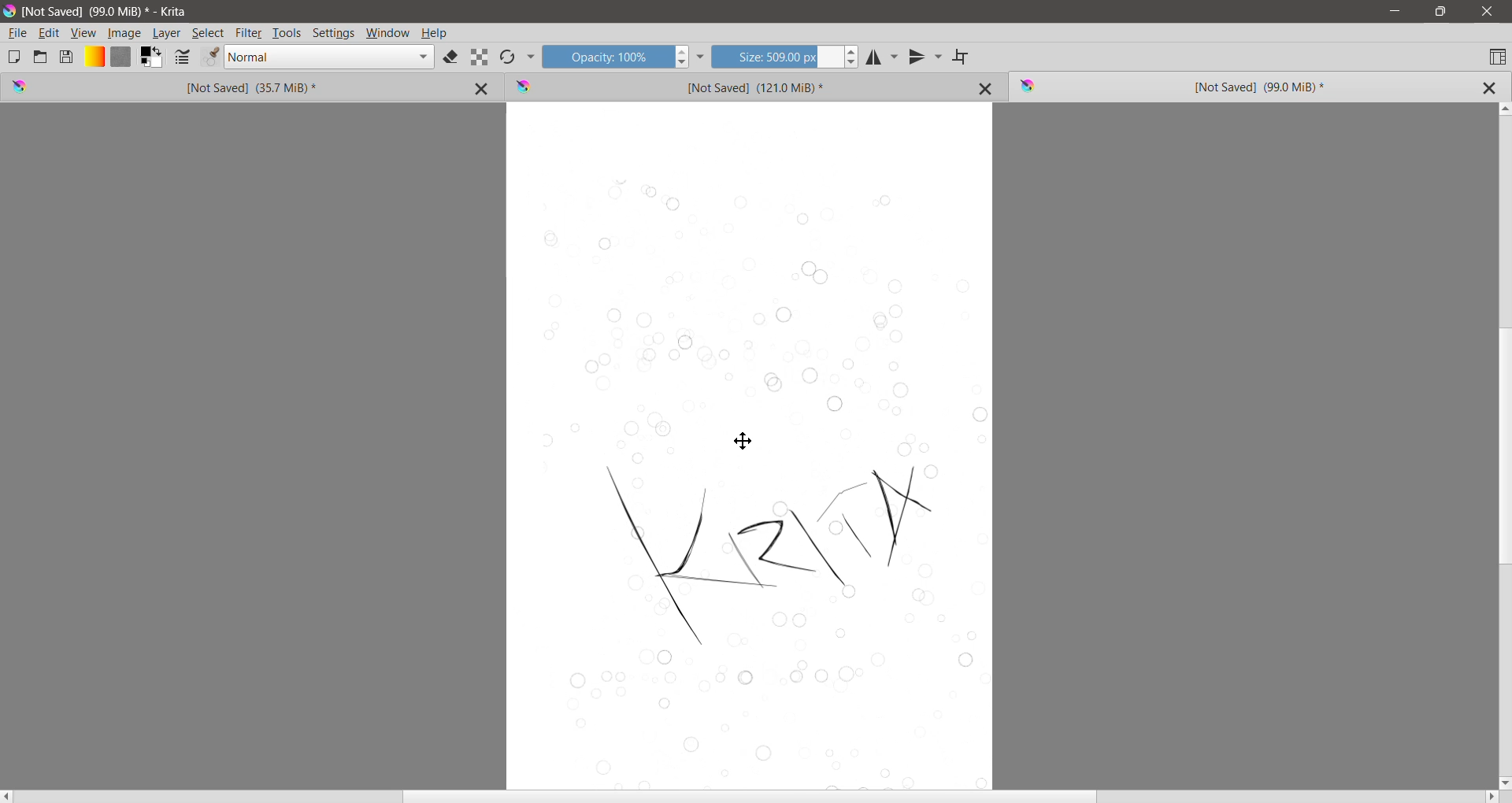 This screenshot has width=1512, height=803. Describe the element at coordinates (750, 797) in the screenshot. I see `Horizontal Scroll Bar` at that location.